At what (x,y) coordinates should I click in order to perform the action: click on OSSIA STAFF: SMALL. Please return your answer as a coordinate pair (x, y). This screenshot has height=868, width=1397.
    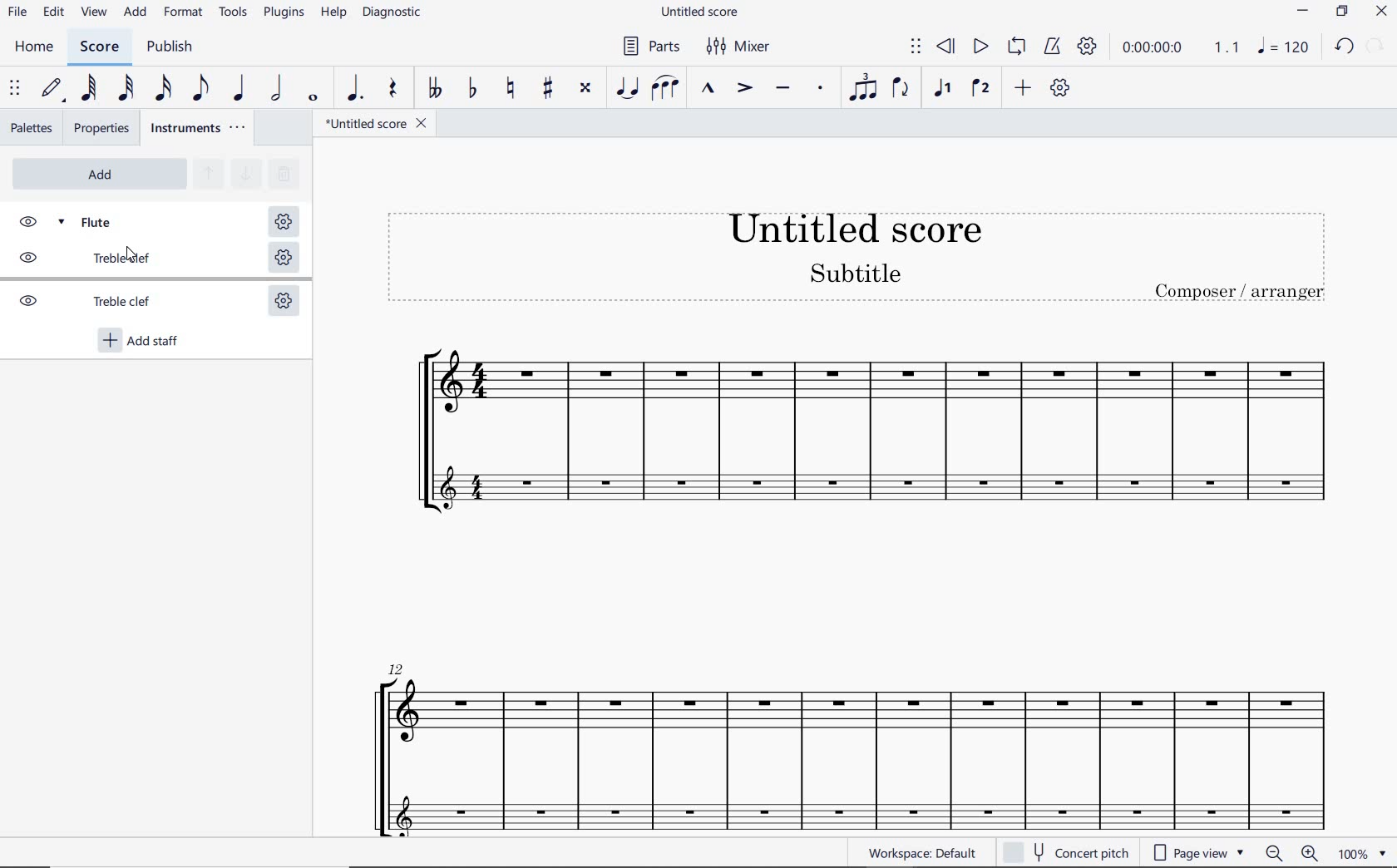
    Looking at the image, I should click on (876, 486).